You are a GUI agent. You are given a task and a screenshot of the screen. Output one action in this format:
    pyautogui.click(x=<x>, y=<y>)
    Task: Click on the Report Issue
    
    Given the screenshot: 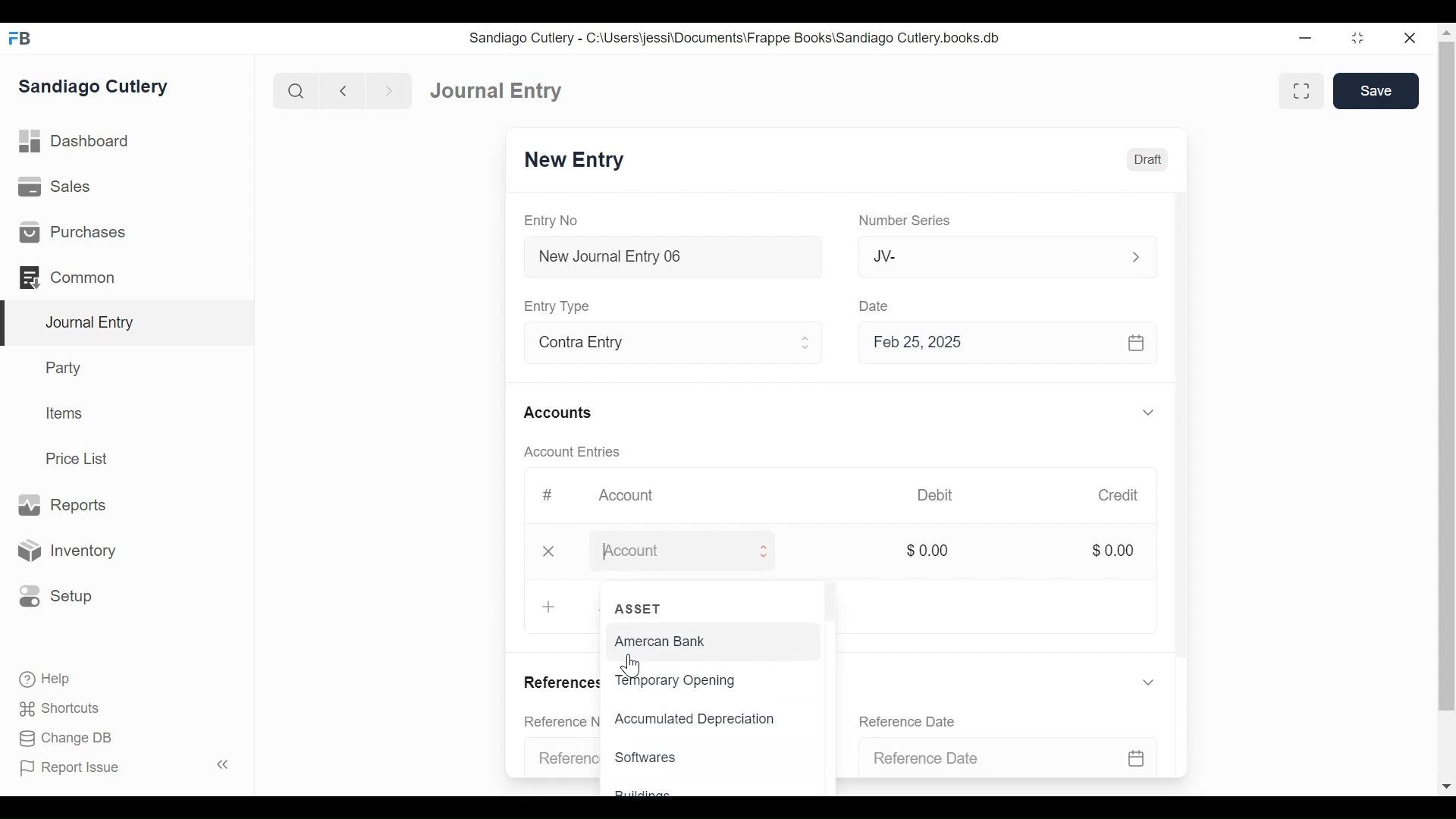 What is the action you would take?
    pyautogui.click(x=127, y=767)
    